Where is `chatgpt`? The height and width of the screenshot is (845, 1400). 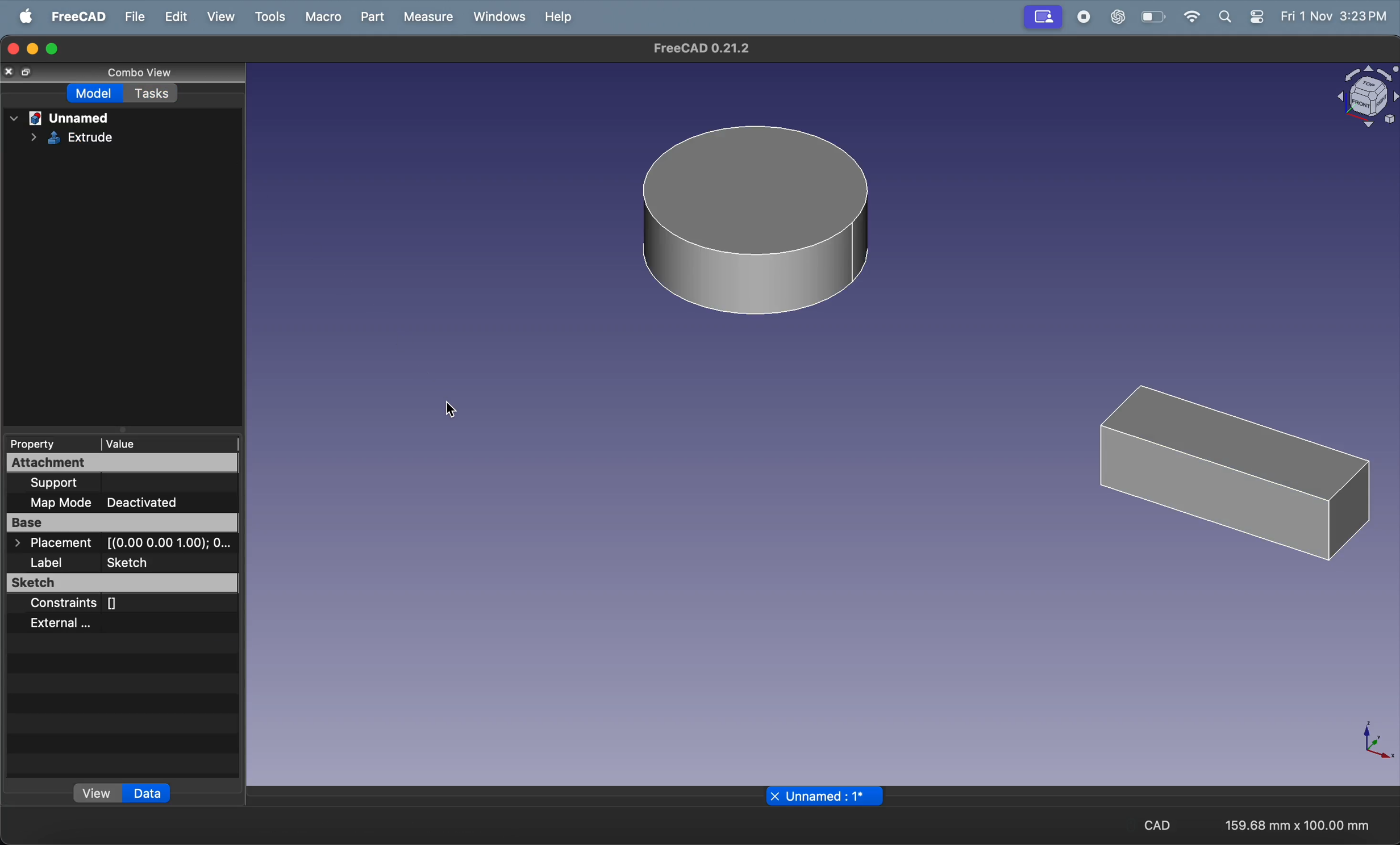
chatgpt is located at coordinates (1118, 16).